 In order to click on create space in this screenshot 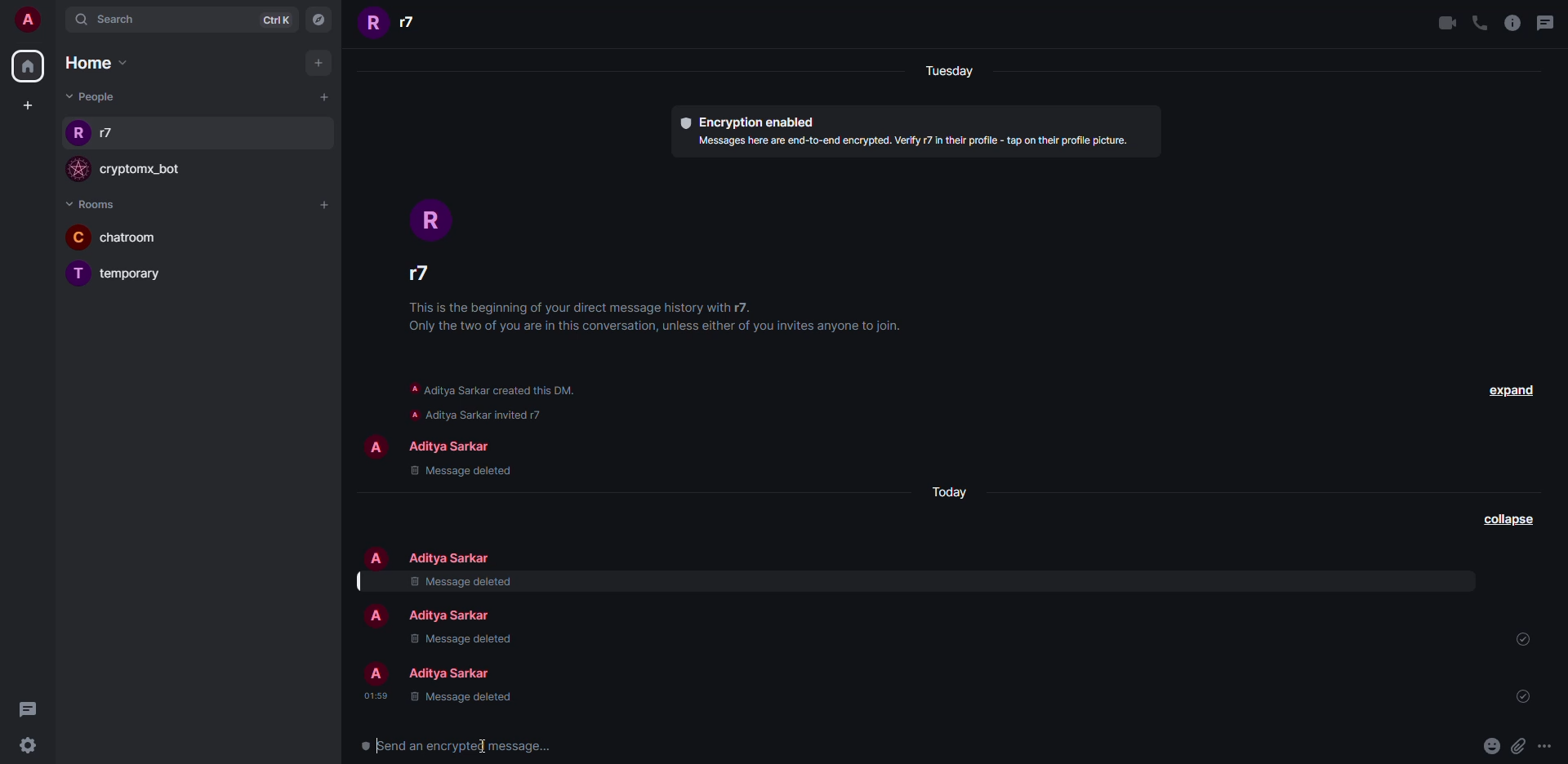, I will do `click(27, 104)`.